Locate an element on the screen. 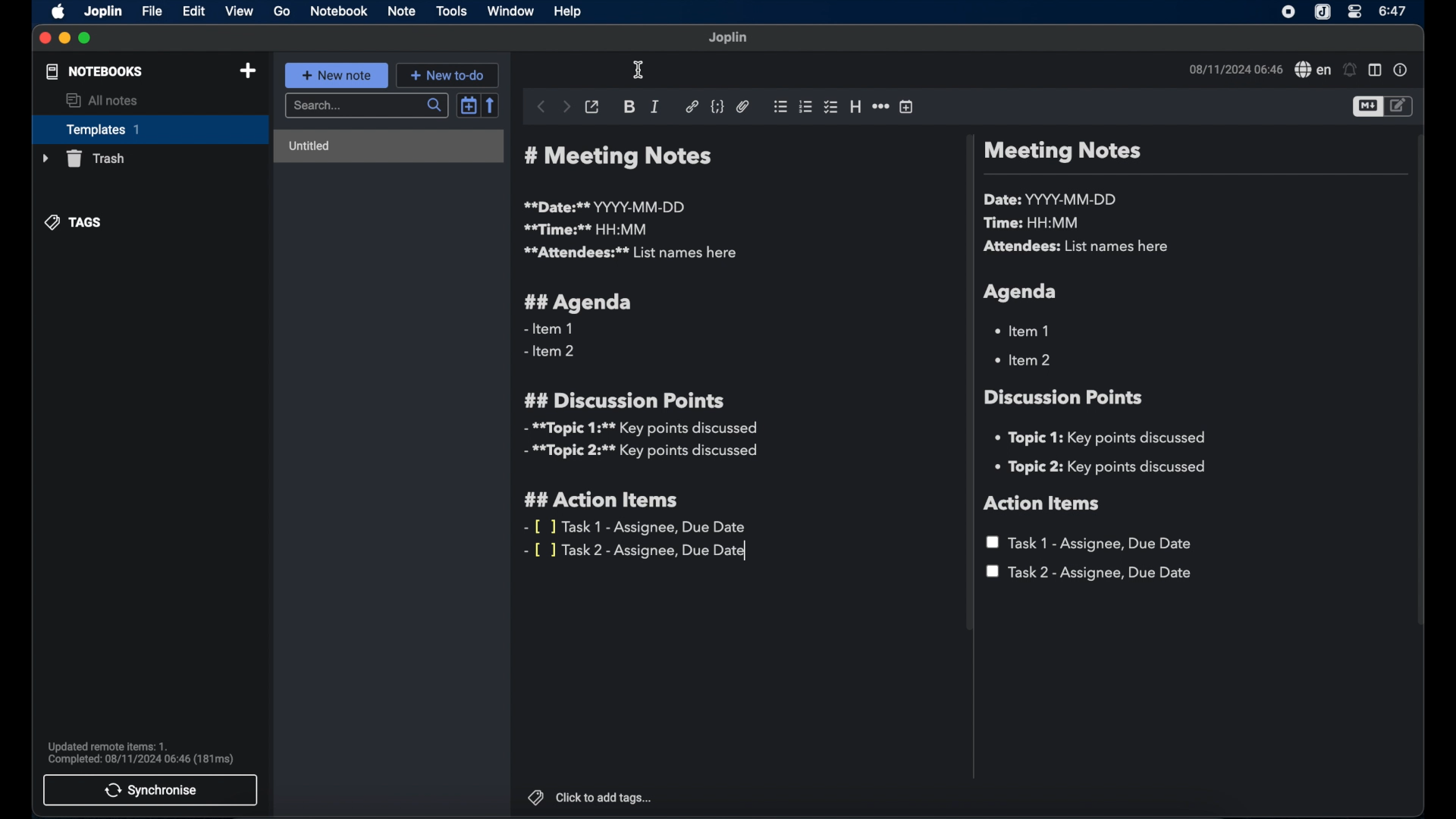 The width and height of the screenshot is (1456, 819). insert time is located at coordinates (906, 107).